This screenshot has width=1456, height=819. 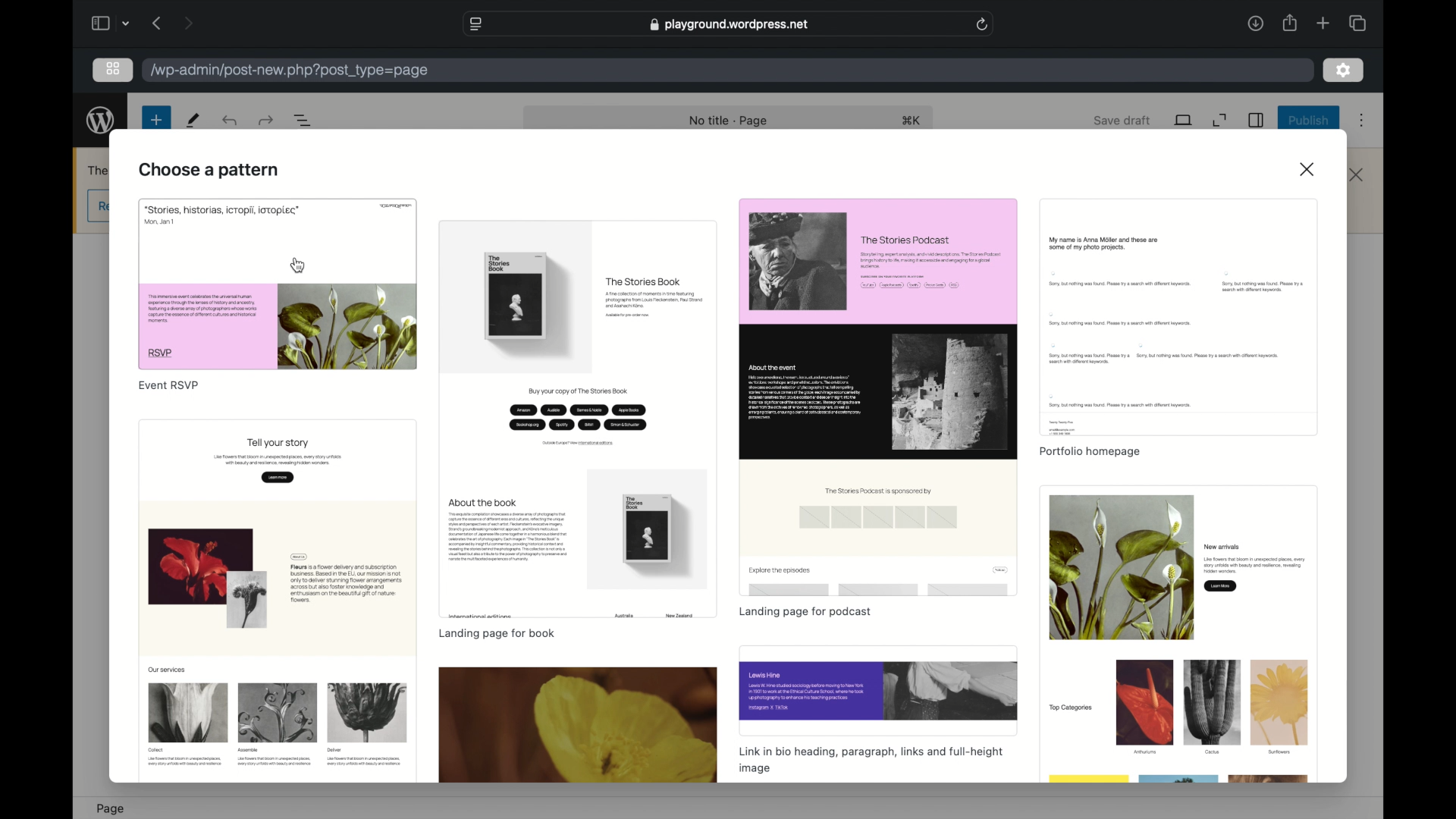 I want to click on close, so click(x=1307, y=168).